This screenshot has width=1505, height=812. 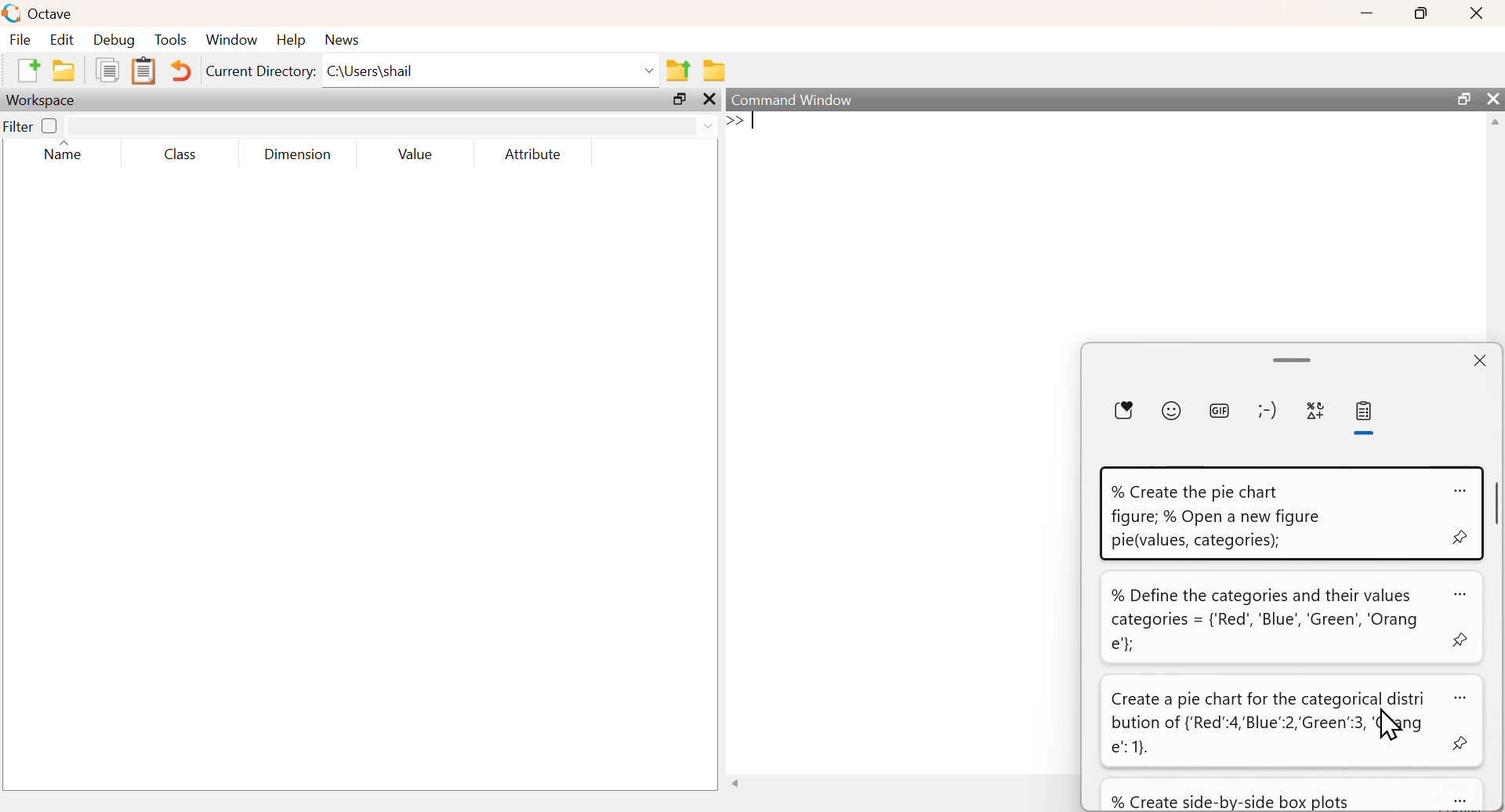 What do you see at coordinates (1420, 13) in the screenshot?
I see `maximize` at bounding box center [1420, 13].